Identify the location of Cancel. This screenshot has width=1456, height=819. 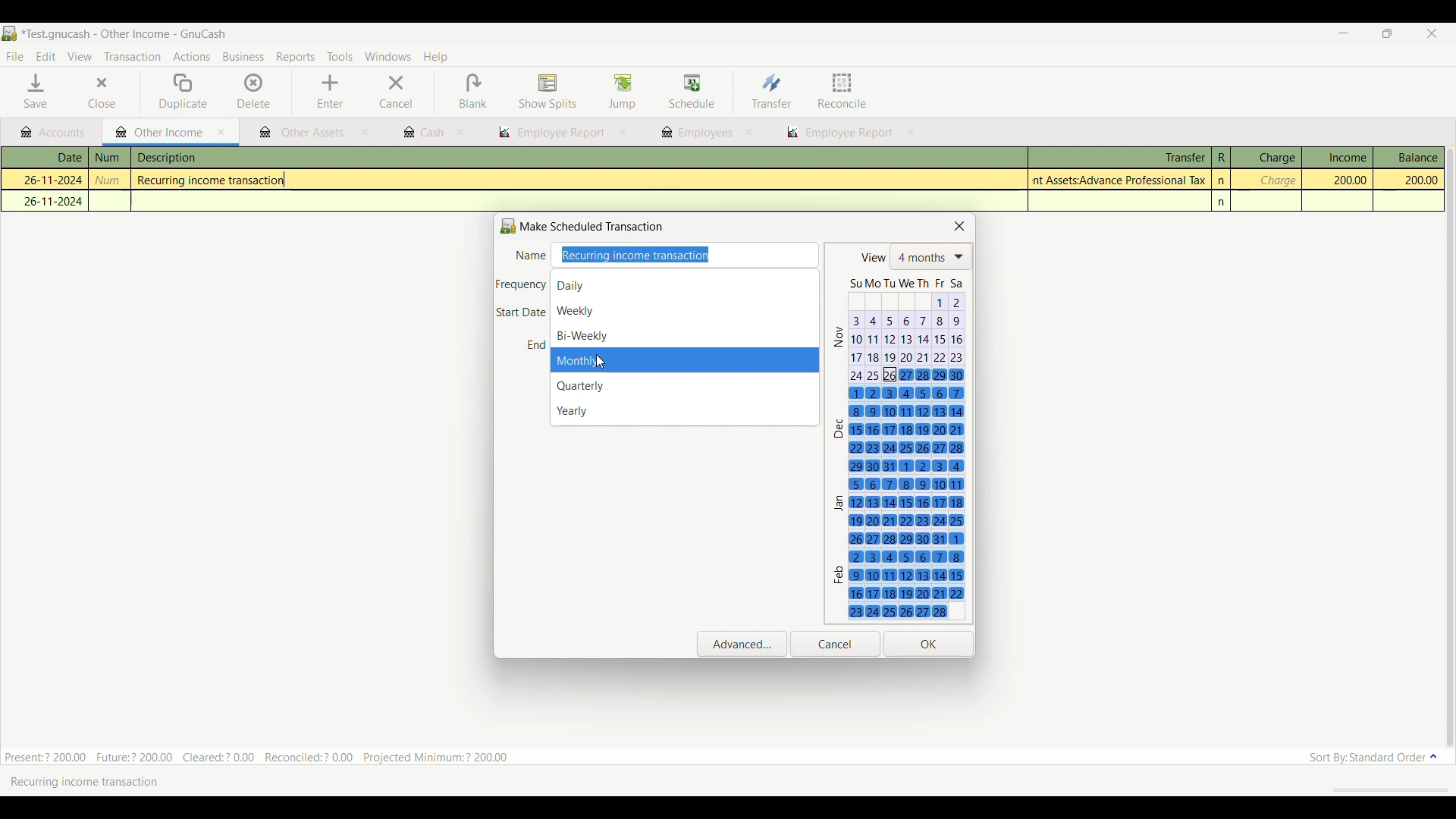
(396, 92).